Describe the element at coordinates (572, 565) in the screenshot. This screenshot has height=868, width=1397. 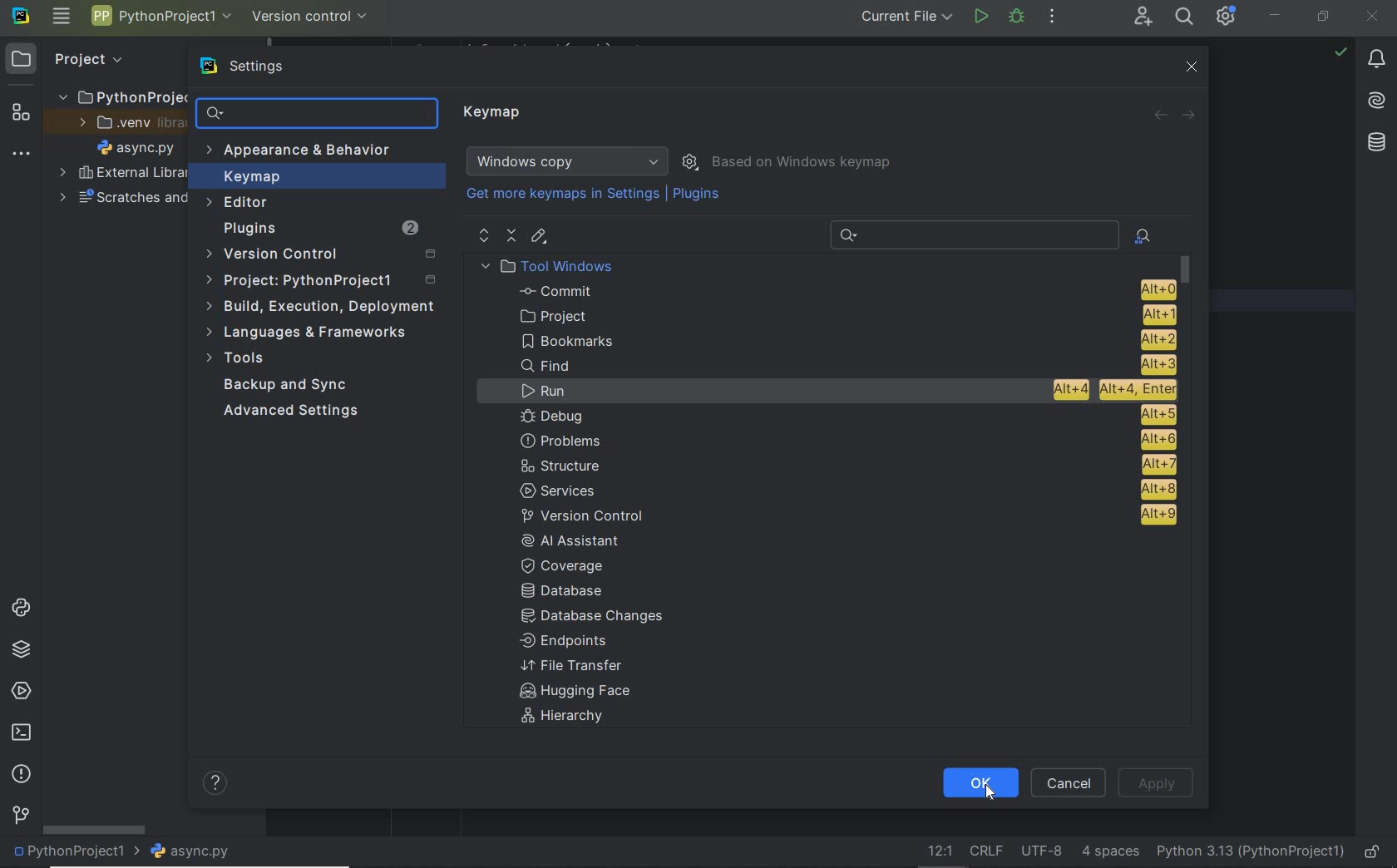
I see `coverage` at that location.